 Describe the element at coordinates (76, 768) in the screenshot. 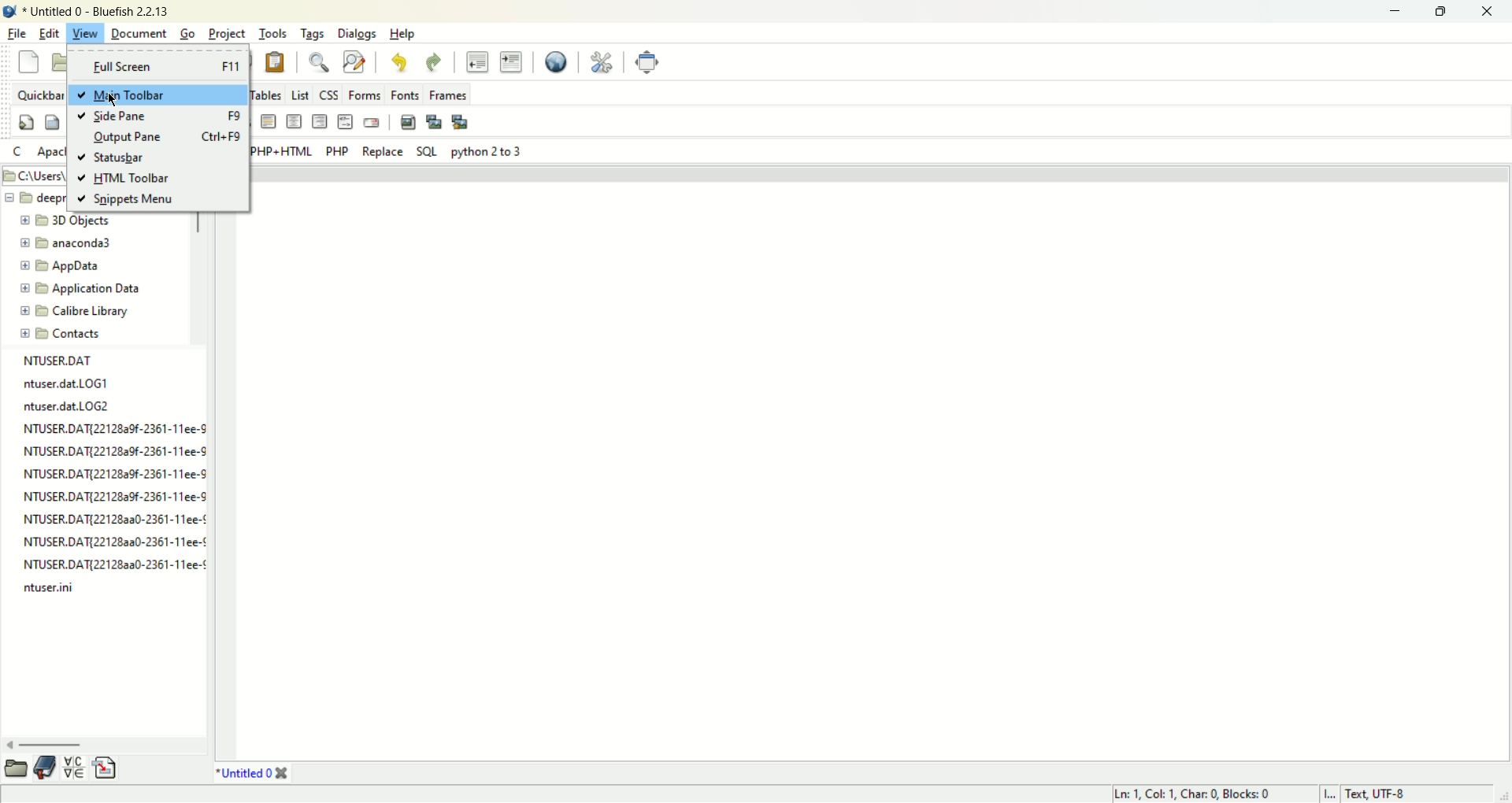

I see `charmap` at that location.